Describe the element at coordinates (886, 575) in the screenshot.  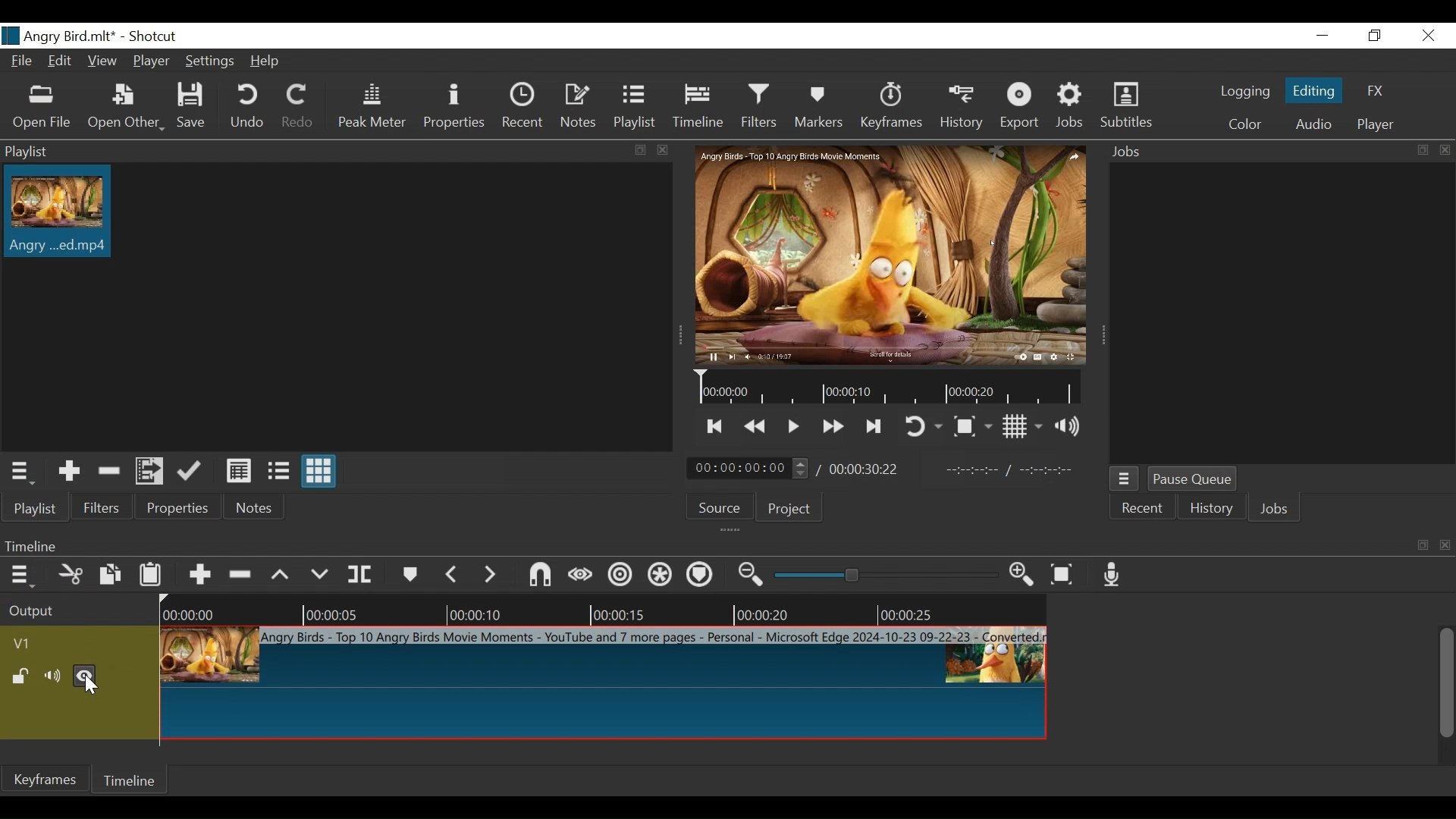
I see `Zoom slider` at that location.